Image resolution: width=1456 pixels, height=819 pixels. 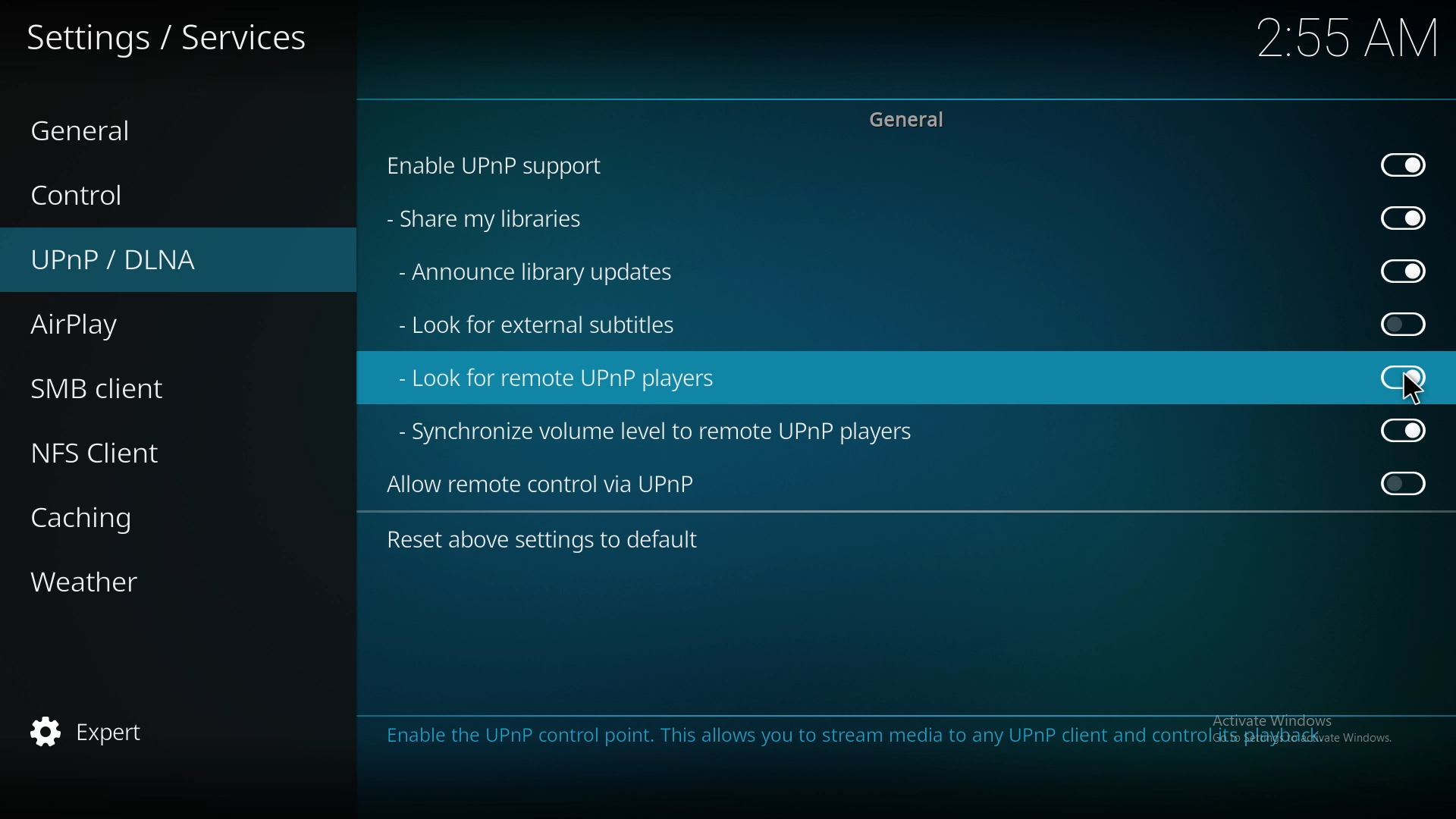 I want to click on expert, so click(x=98, y=735).